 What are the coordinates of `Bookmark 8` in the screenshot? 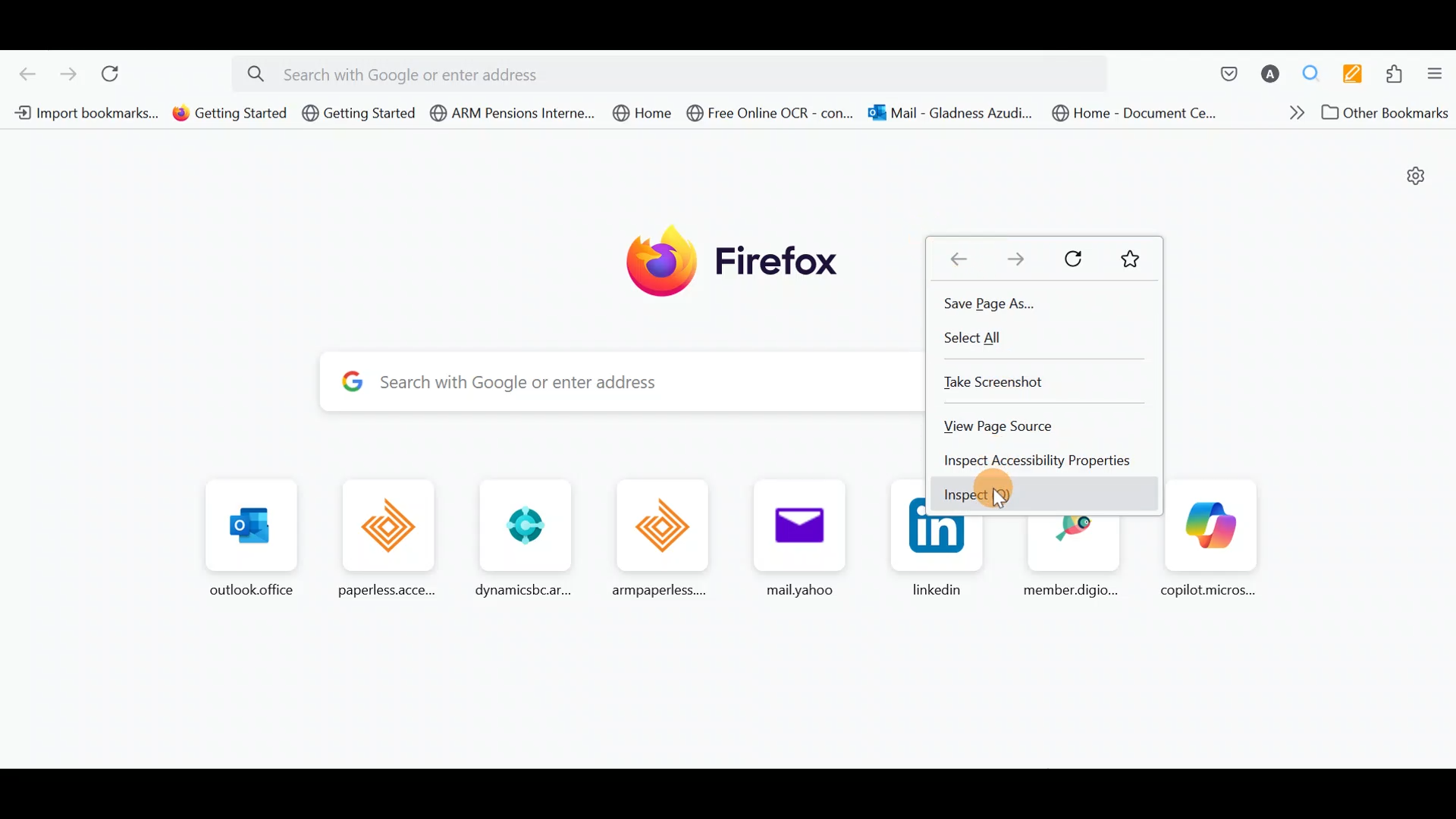 It's located at (1131, 112).